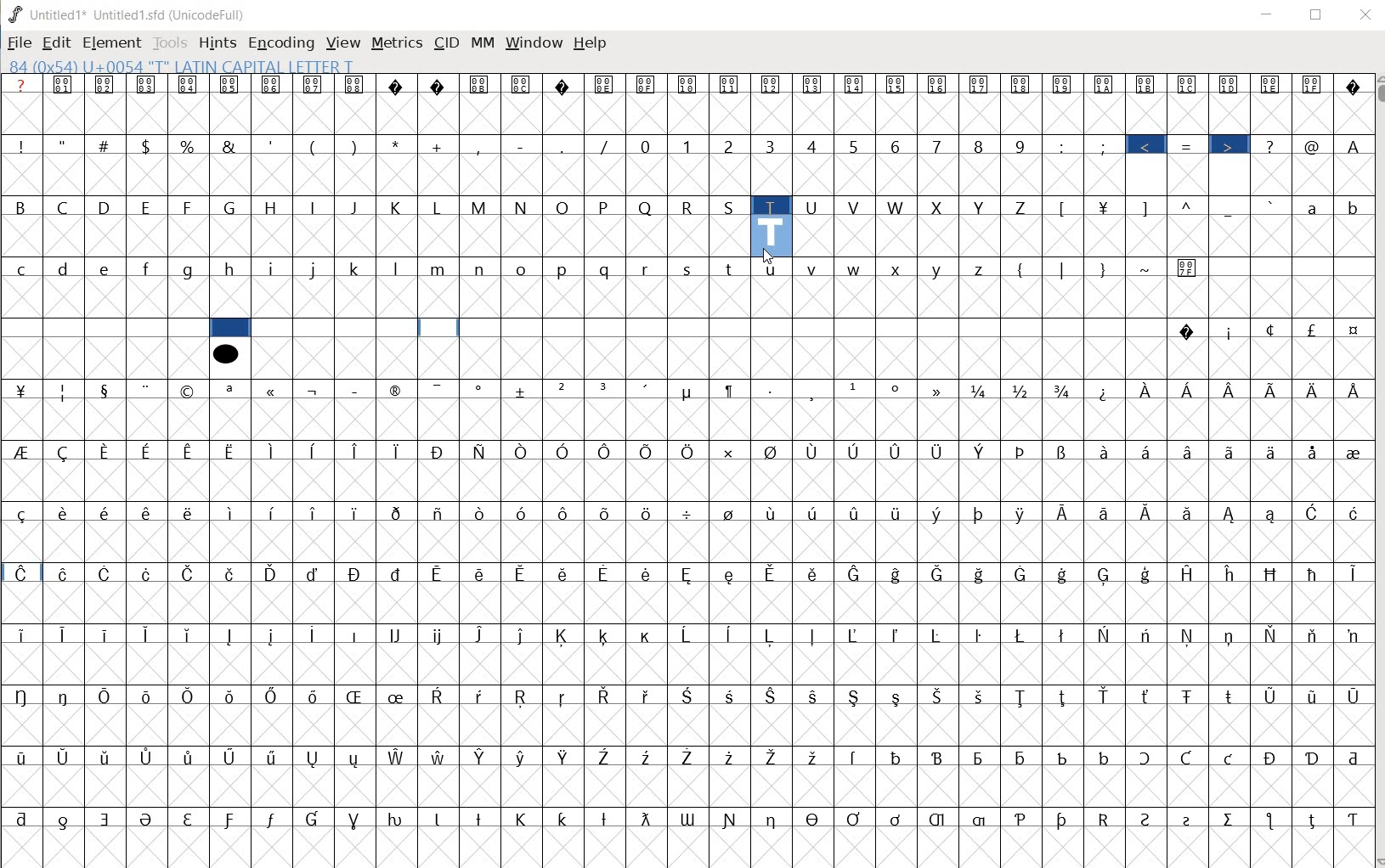 Image resolution: width=1385 pixels, height=868 pixels. I want to click on c, so click(21, 268).